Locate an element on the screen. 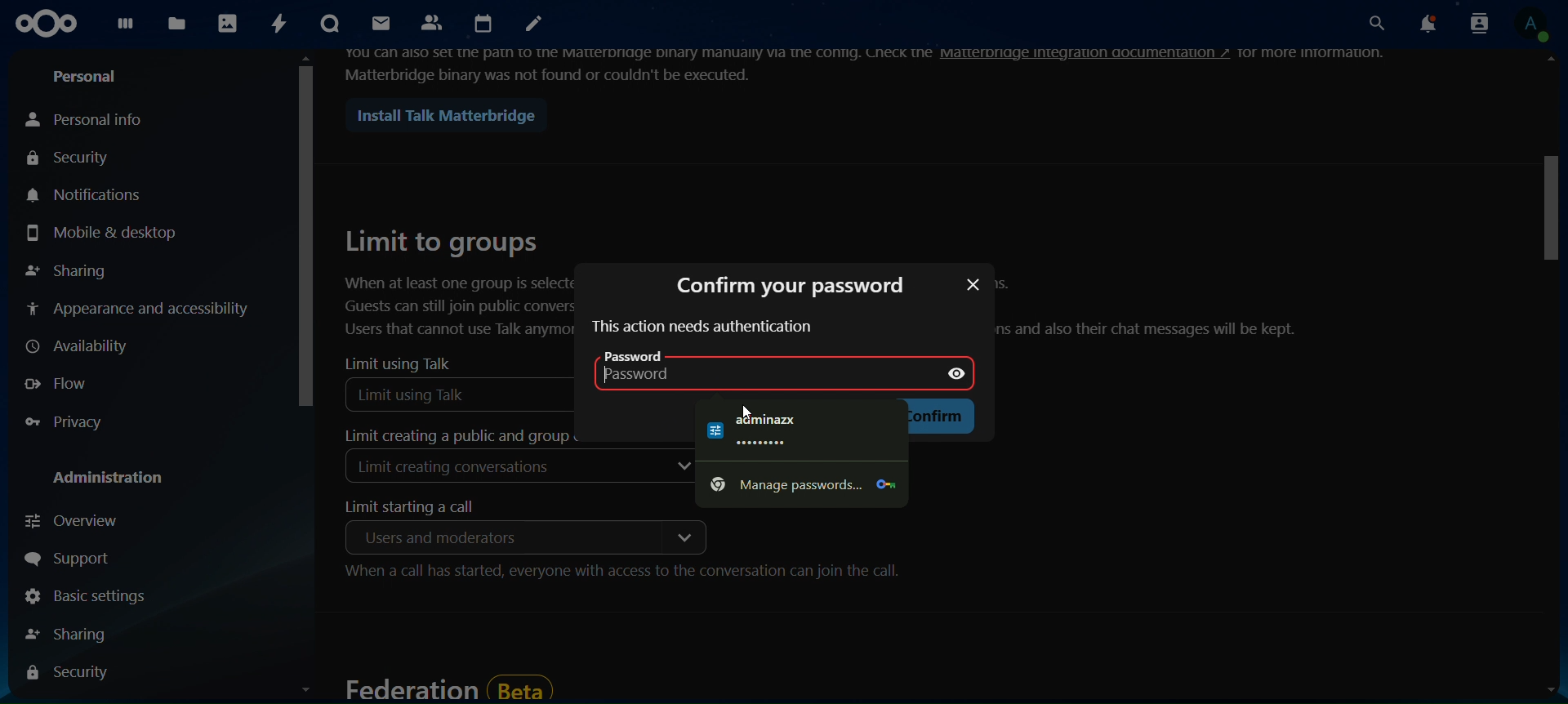 The image size is (1568, 704). view profile is located at coordinates (1530, 24).